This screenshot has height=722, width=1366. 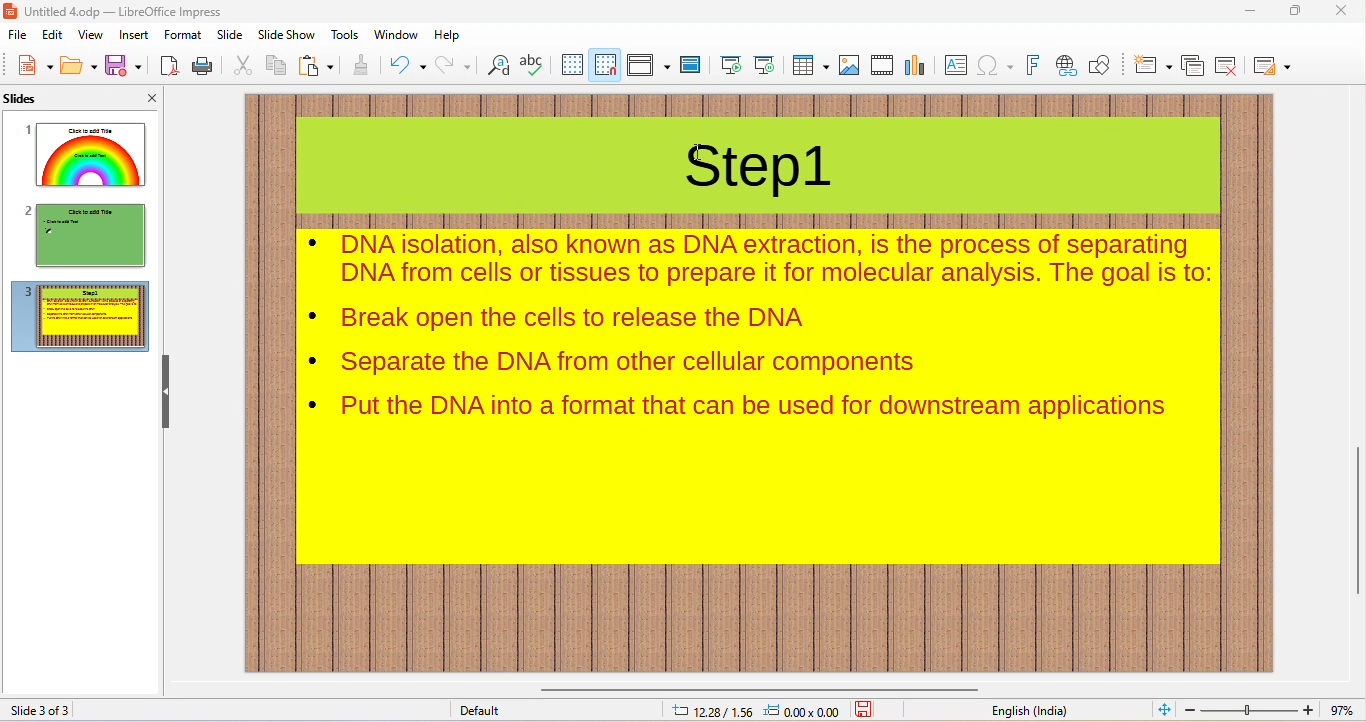 What do you see at coordinates (79, 318) in the screenshot?
I see `slide3` at bounding box center [79, 318].